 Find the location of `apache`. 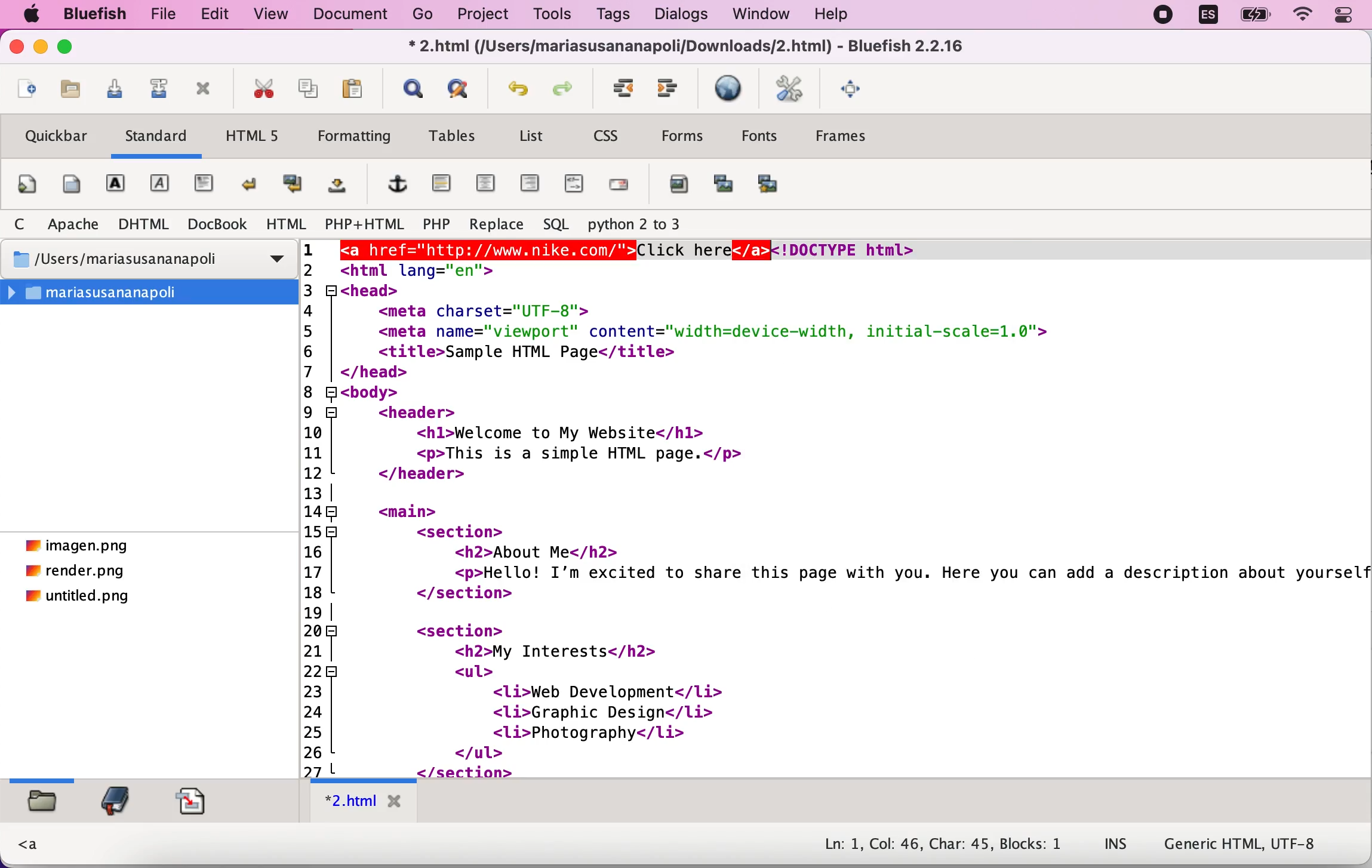

apache is located at coordinates (72, 224).